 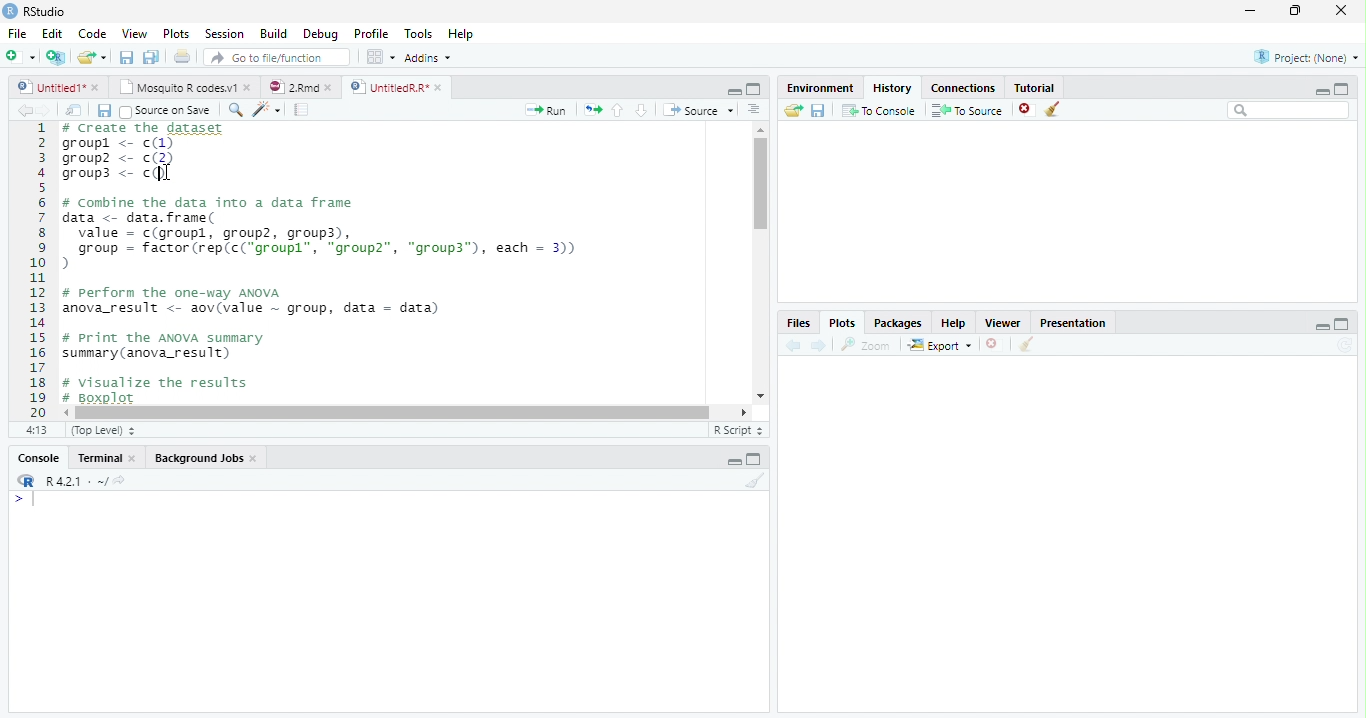 I want to click on geom boxplot() + Tabs(title = “soxplot of values by Group”, x = “Group”, y = “"value") +theme_minimal ()# mean plot with ggplot2group_means <- aggregate(value ~ group, data = data, mean)ggplot(group_means, aes(x = group, y = value, group = 1)) + #group=1 needed for line pgeon_line() +geon_point() +Tabs(title = “Mean Plot of values by Group”, x = “Group”, y = “Mean value") +theme_minimal ()# Tukey's Hsp for pairwise comparisons (post-hoc test)tukey_result <- TukeyHsD(anova_result)print (tukey_result)#visualize Tukey's HSD results, so click(x=400, y=264).